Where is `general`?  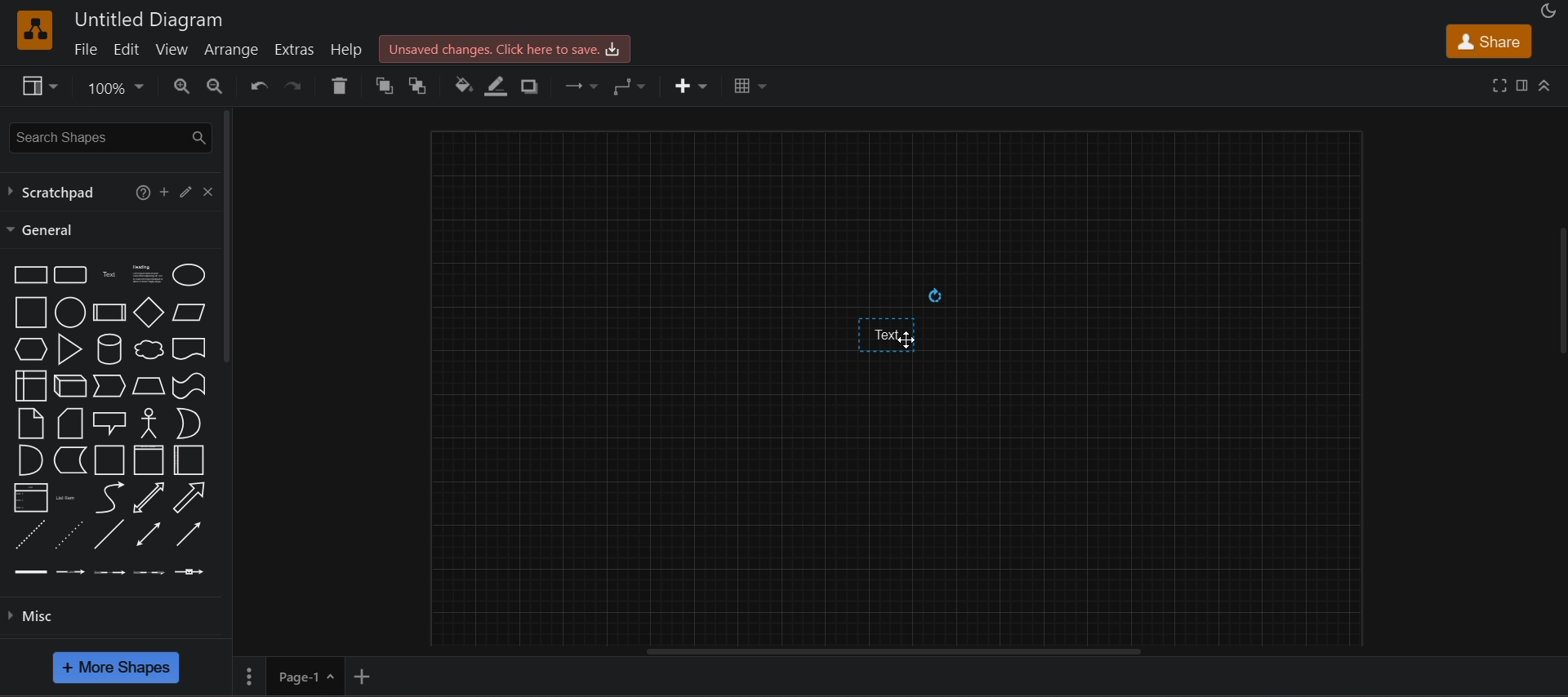
general is located at coordinates (42, 230).